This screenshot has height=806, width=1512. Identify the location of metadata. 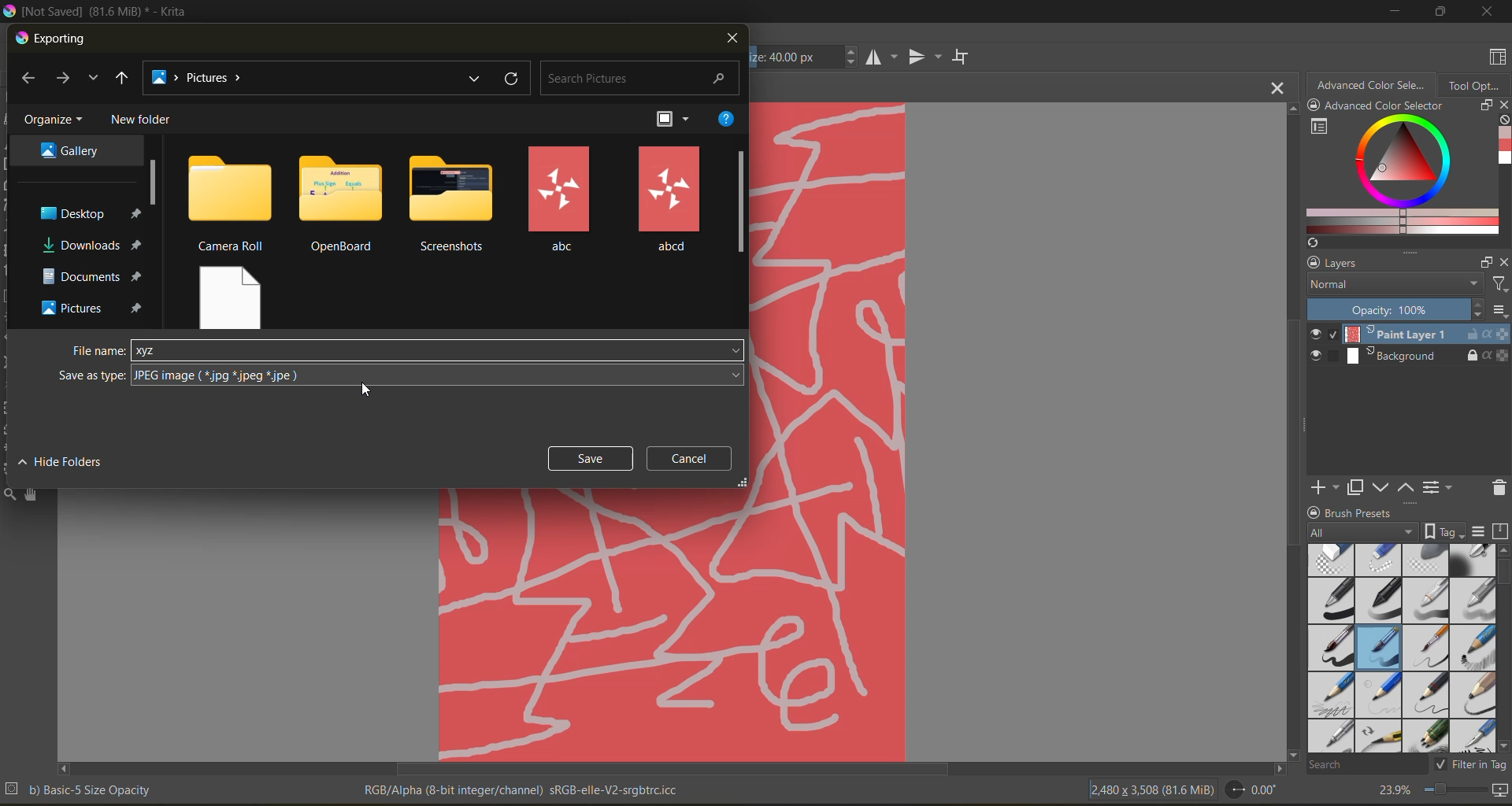
(524, 789).